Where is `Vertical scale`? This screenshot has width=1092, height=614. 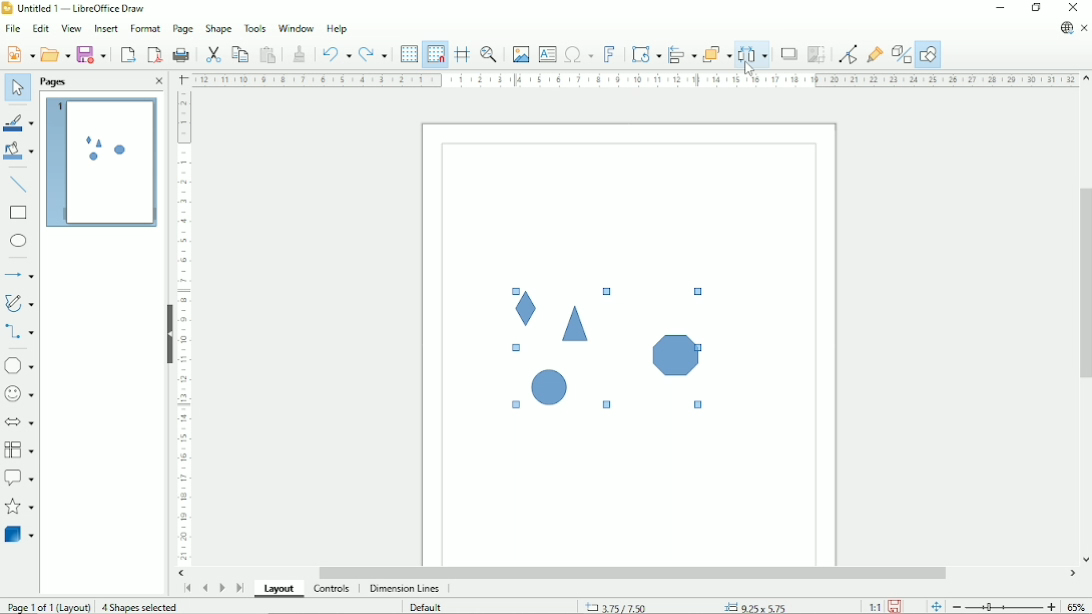
Vertical scale is located at coordinates (182, 328).